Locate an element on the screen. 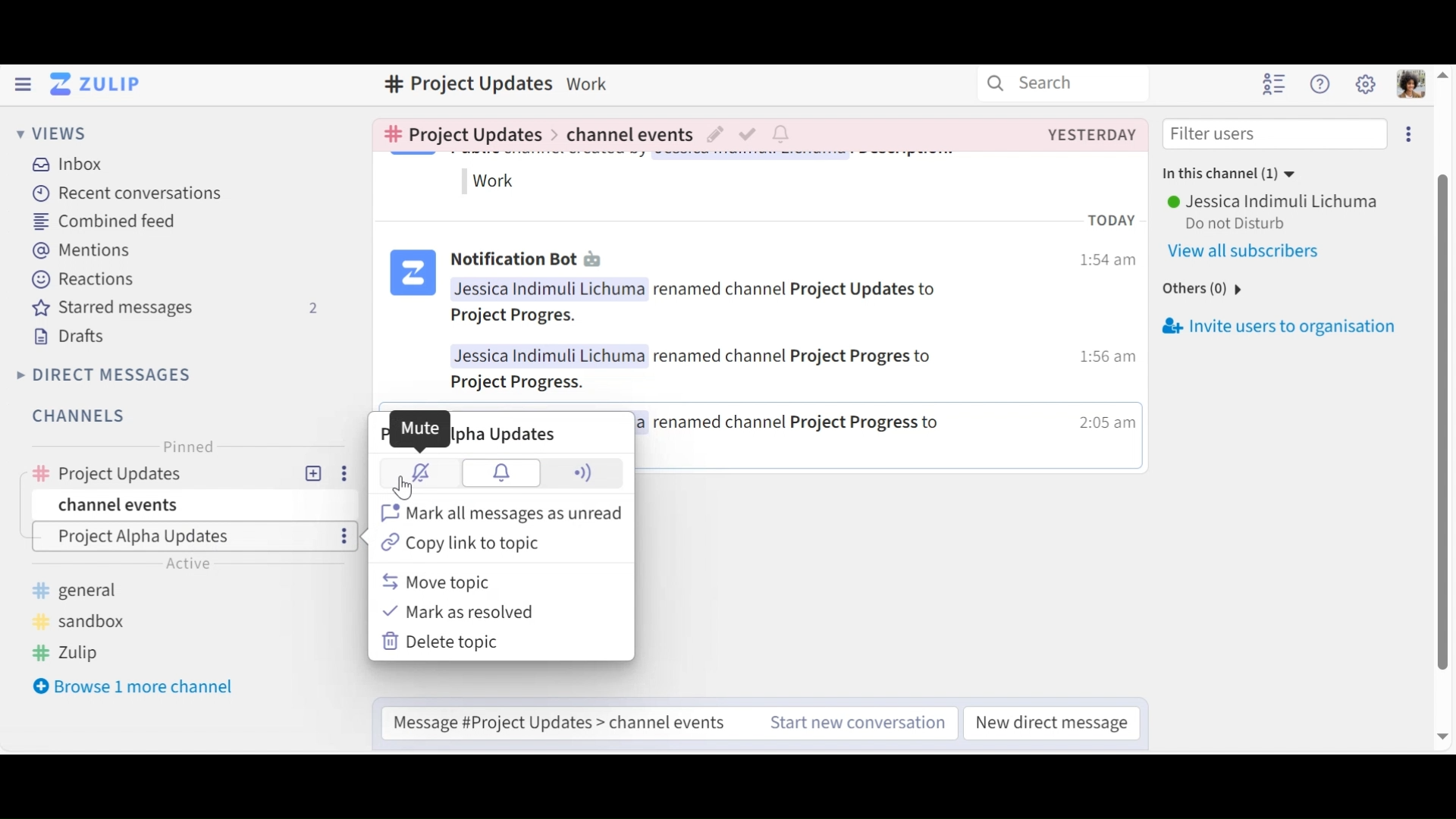 This screenshot has width=1456, height=819. 1:54 am is located at coordinates (1106, 263).